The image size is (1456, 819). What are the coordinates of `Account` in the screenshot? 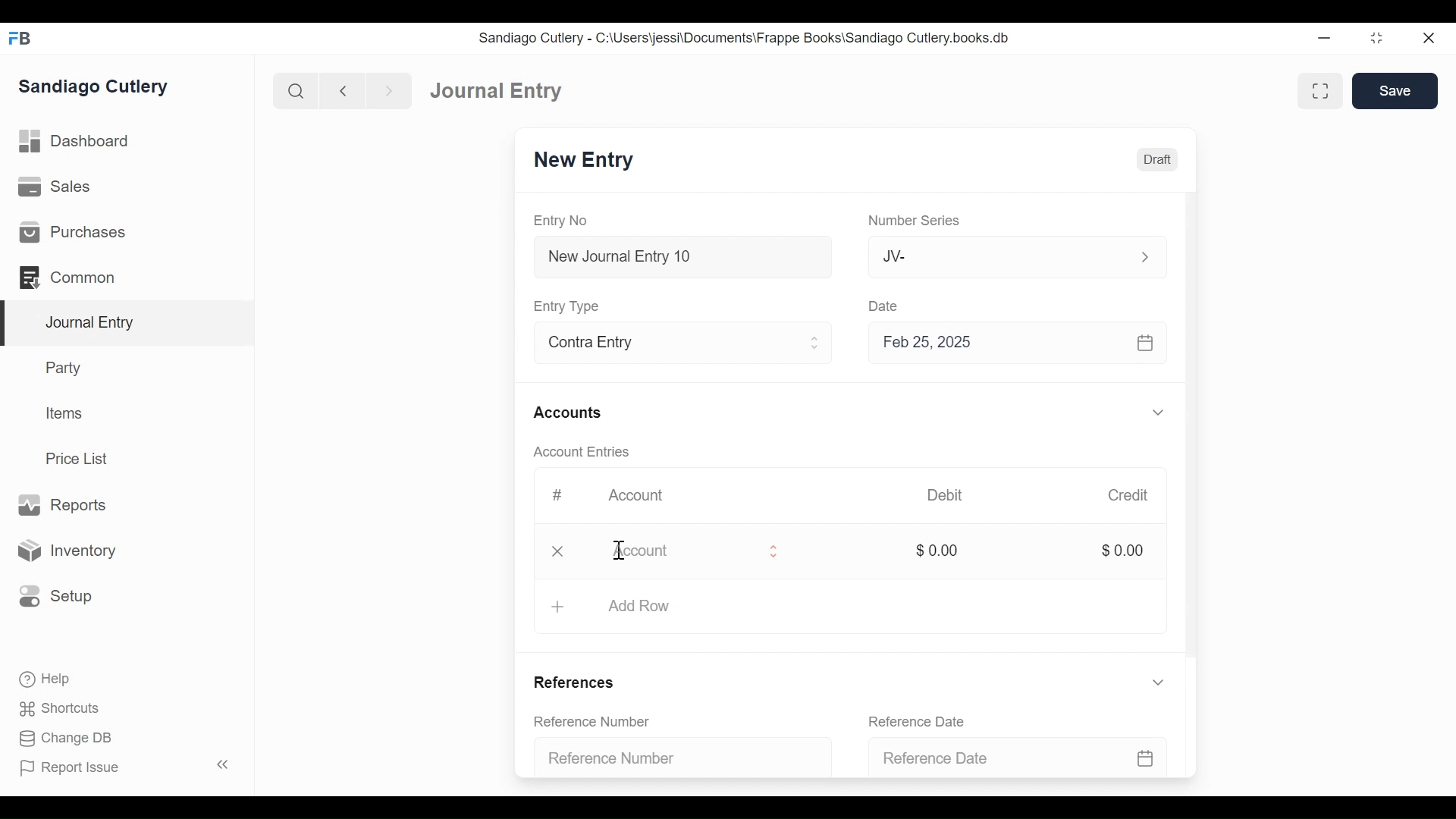 It's located at (638, 497).